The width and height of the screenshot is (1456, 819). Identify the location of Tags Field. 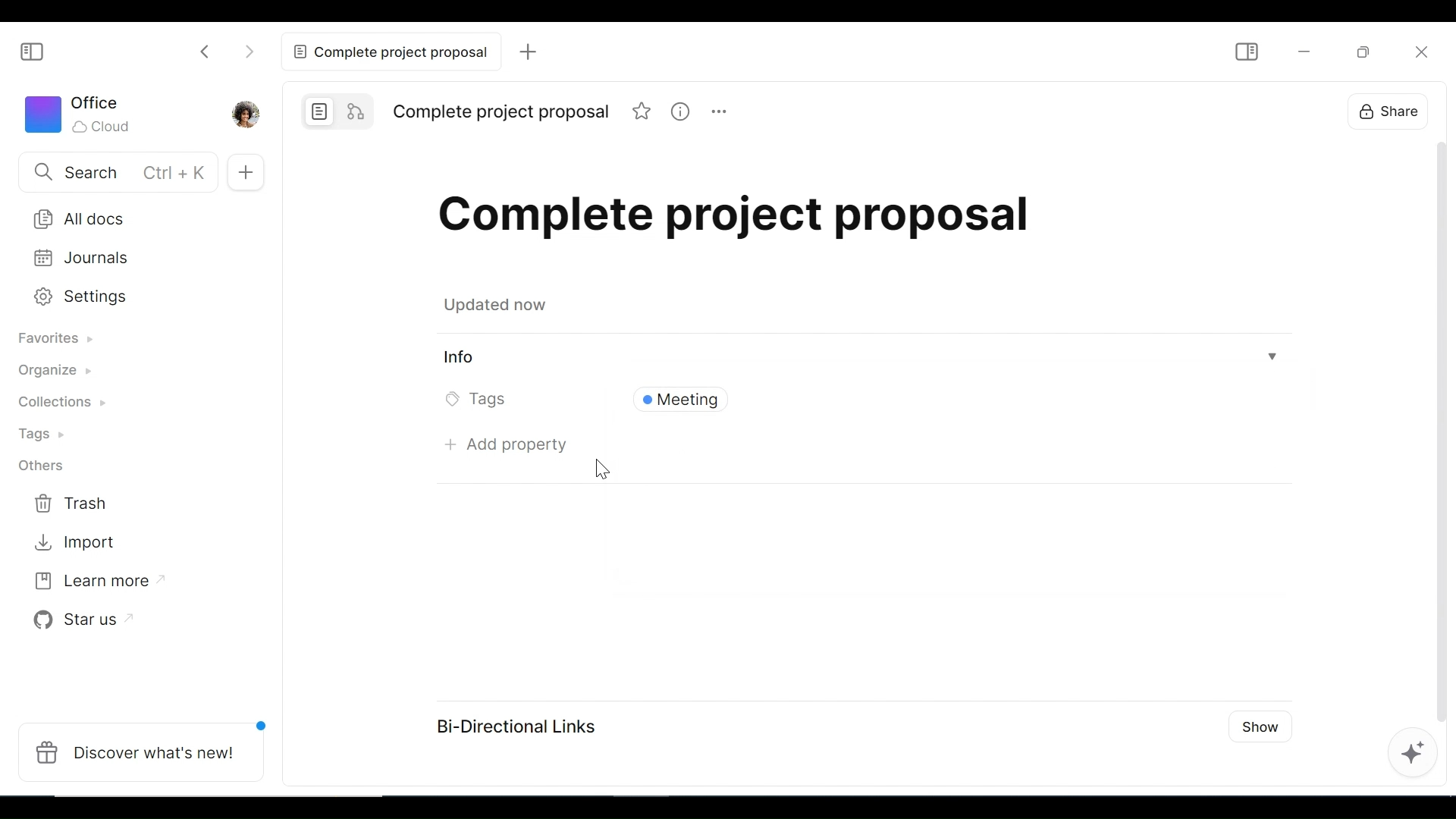
(686, 399).